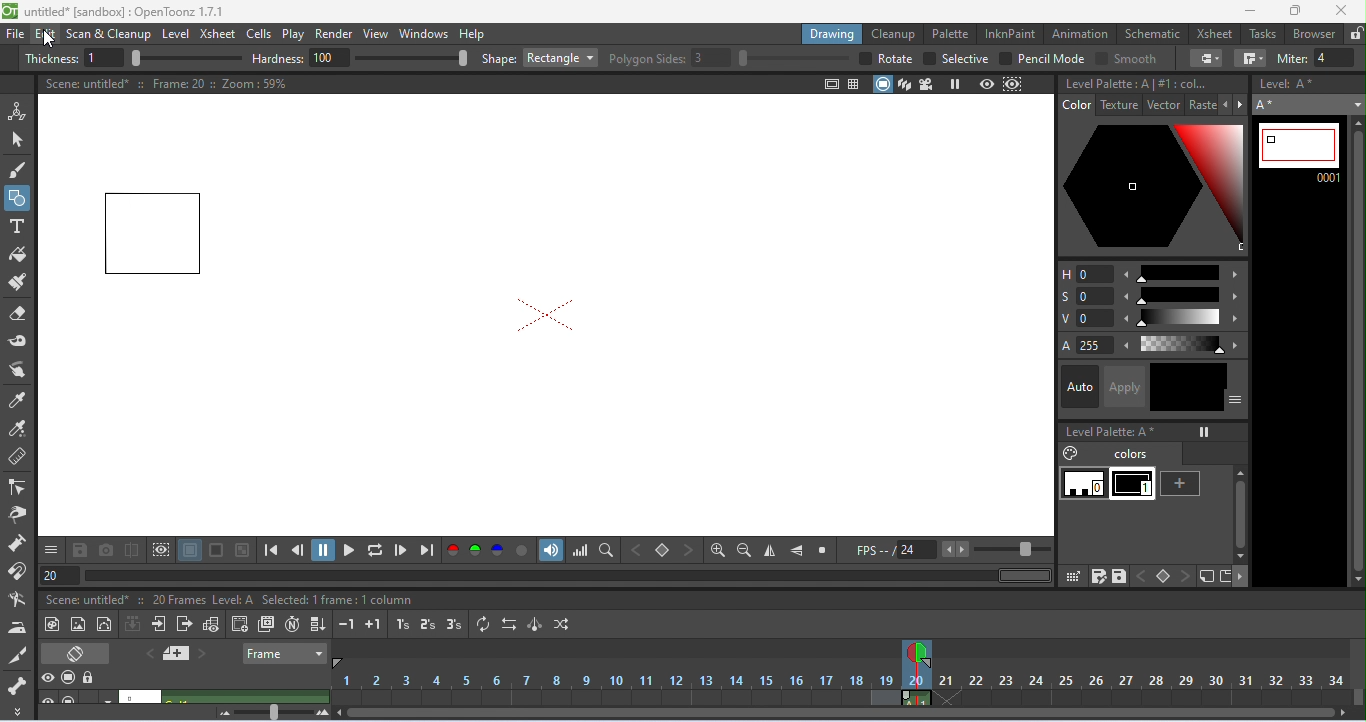 The image size is (1366, 722). What do you see at coordinates (217, 34) in the screenshot?
I see `xsheet` at bounding box center [217, 34].